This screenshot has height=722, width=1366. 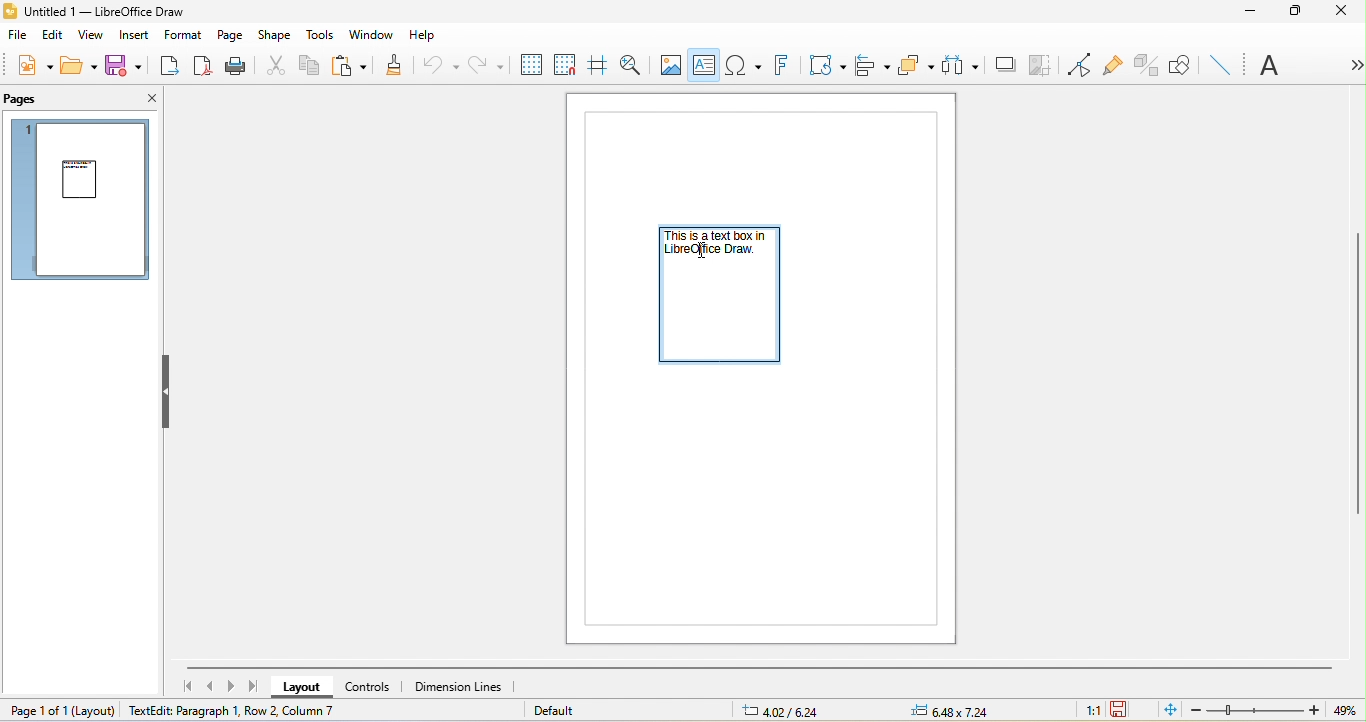 What do you see at coordinates (53, 36) in the screenshot?
I see `edit` at bounding box center [53, 36].